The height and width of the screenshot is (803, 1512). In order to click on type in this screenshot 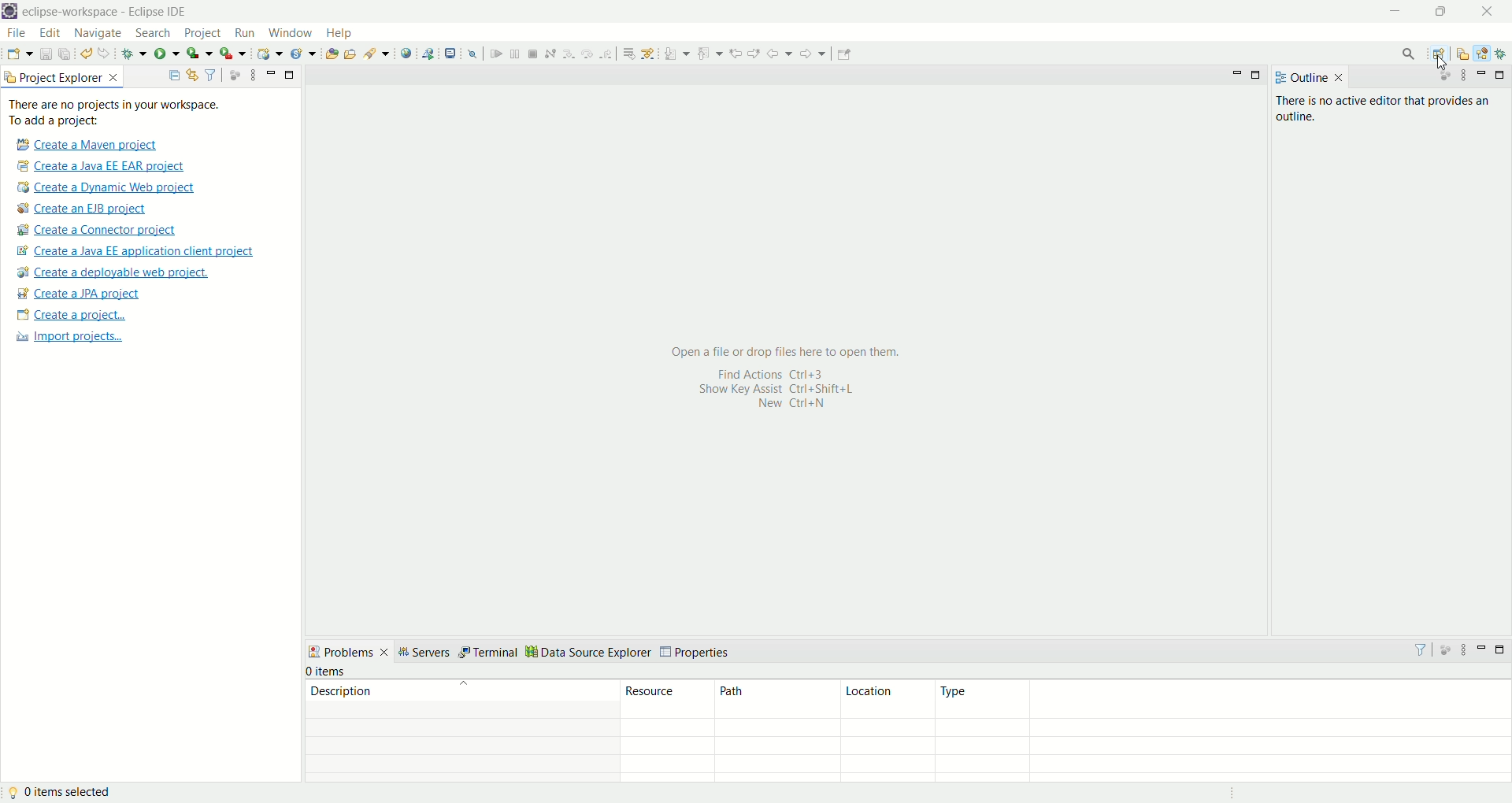, I will do `click(1223, 731)`.